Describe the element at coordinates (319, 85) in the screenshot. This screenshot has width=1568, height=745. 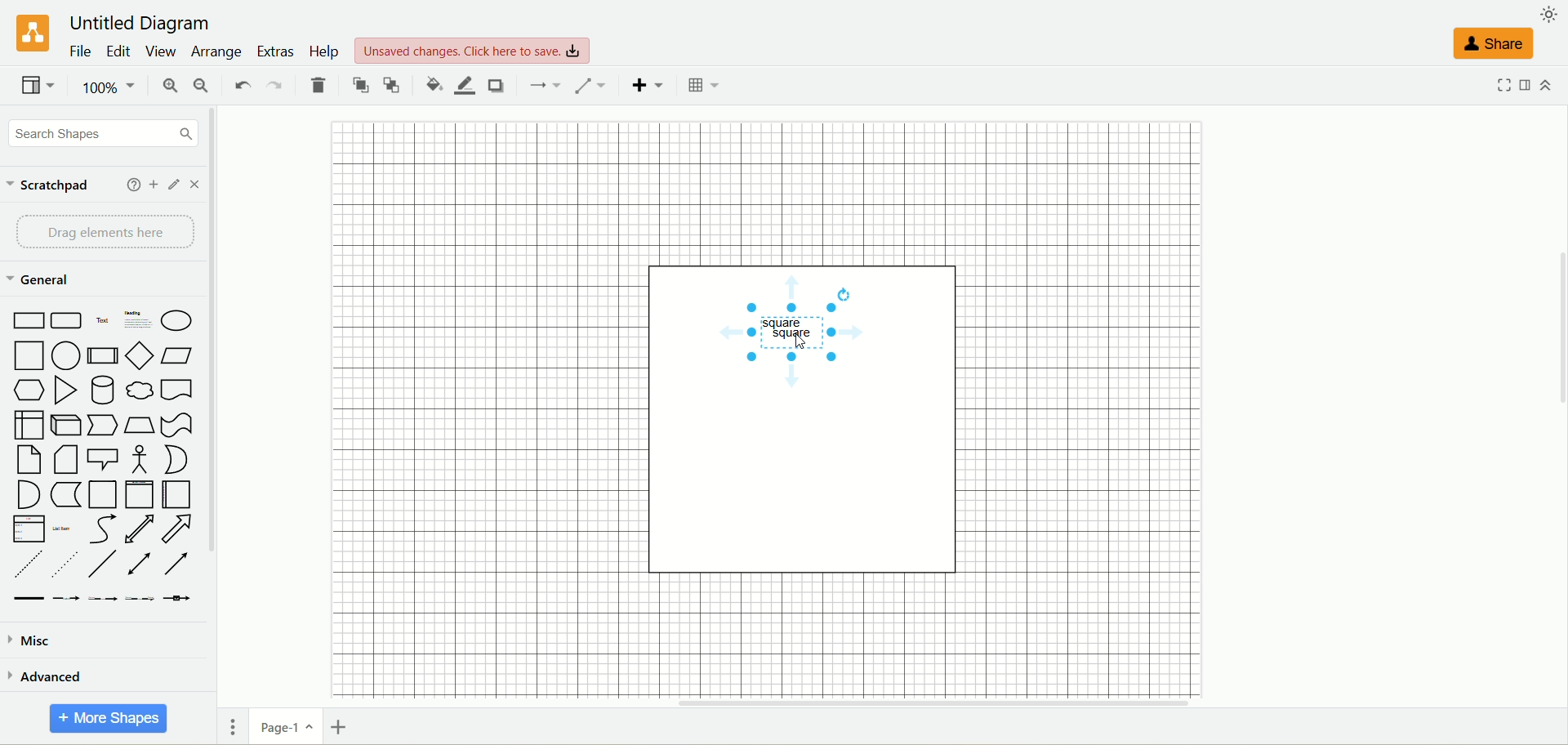
I see `delete` at that location.